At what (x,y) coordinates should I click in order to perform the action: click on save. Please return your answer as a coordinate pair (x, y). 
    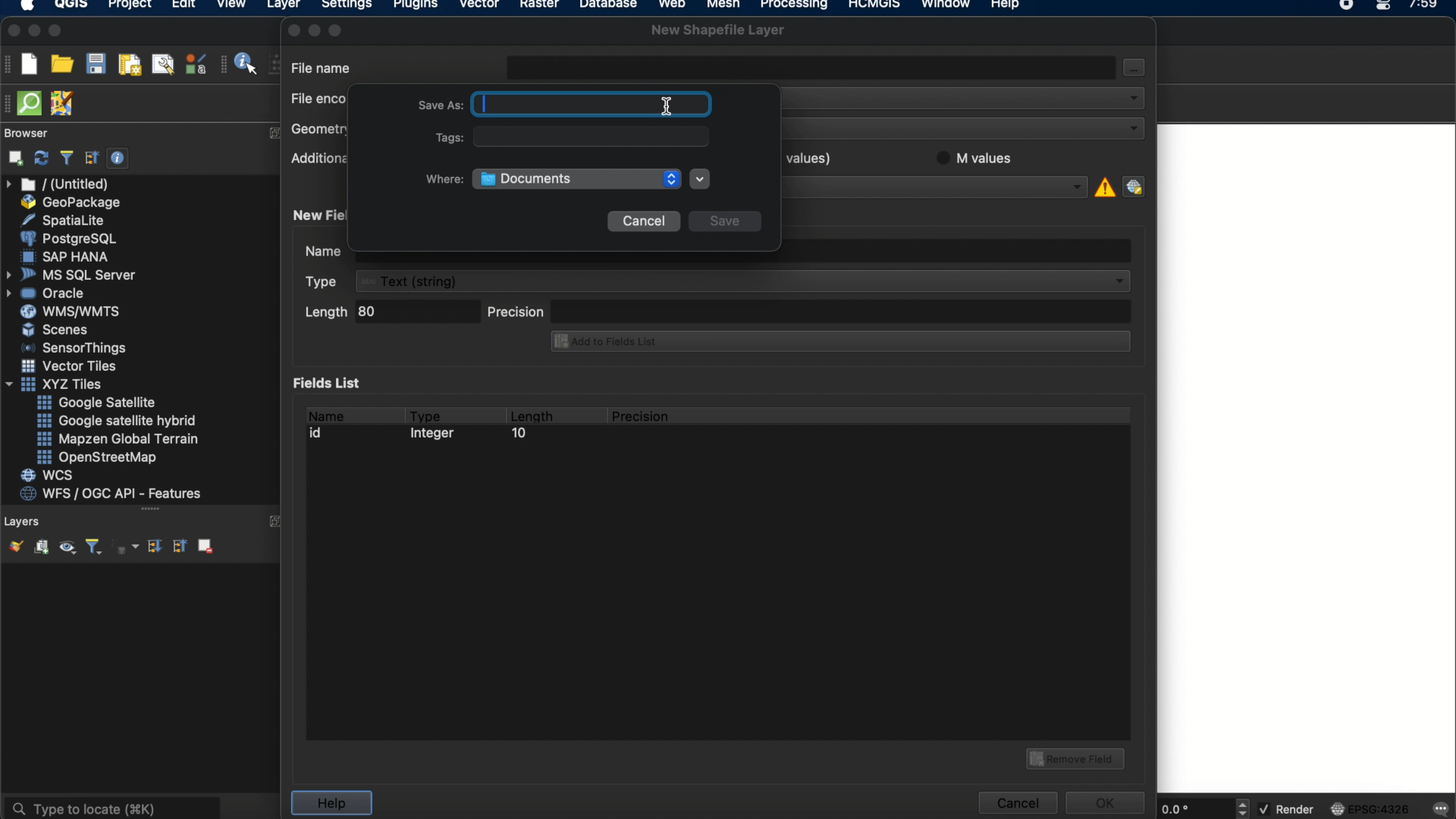
    Looking at the image, I should click on (726, 223).